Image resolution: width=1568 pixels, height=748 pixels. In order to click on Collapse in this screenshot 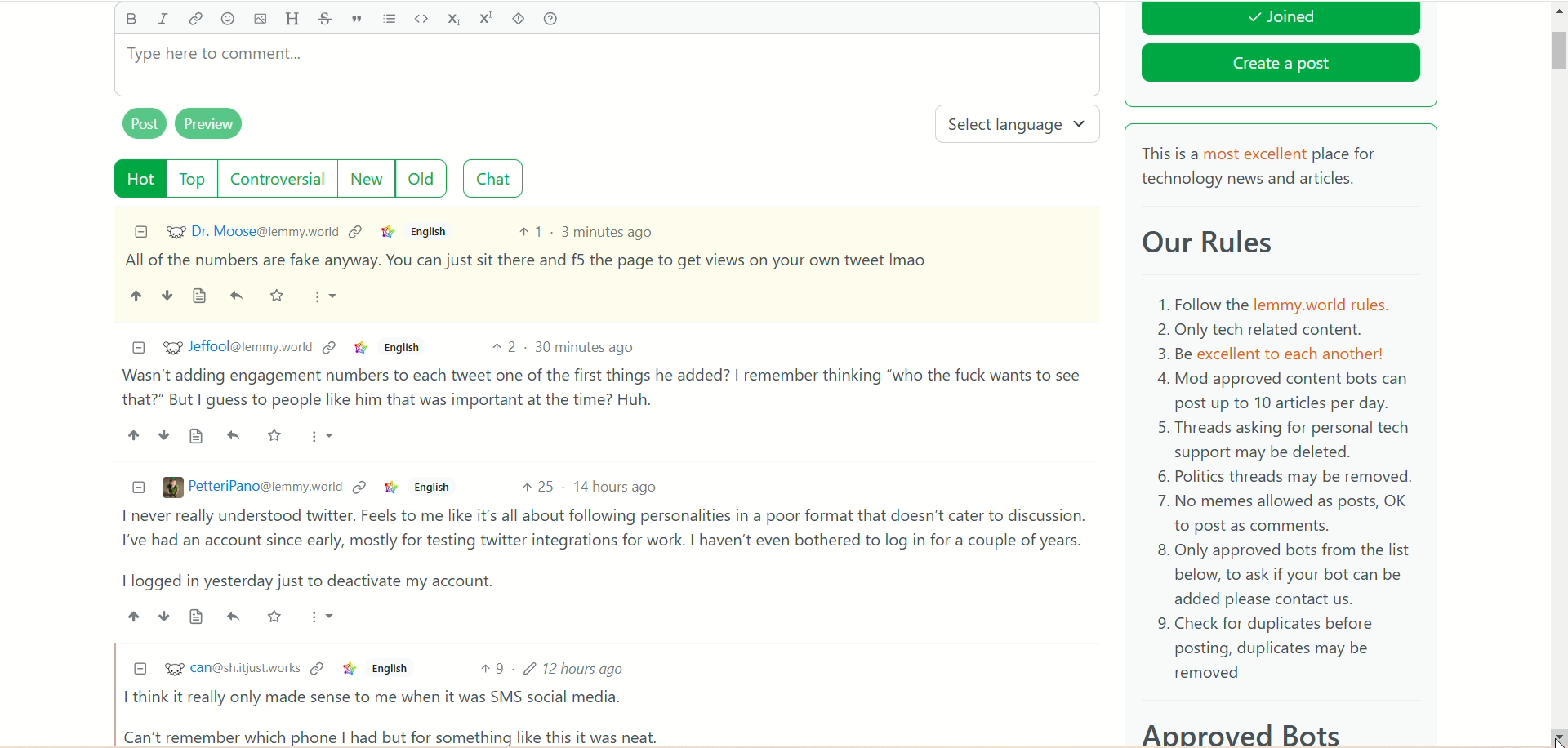, I will do `click(138, 349)`.